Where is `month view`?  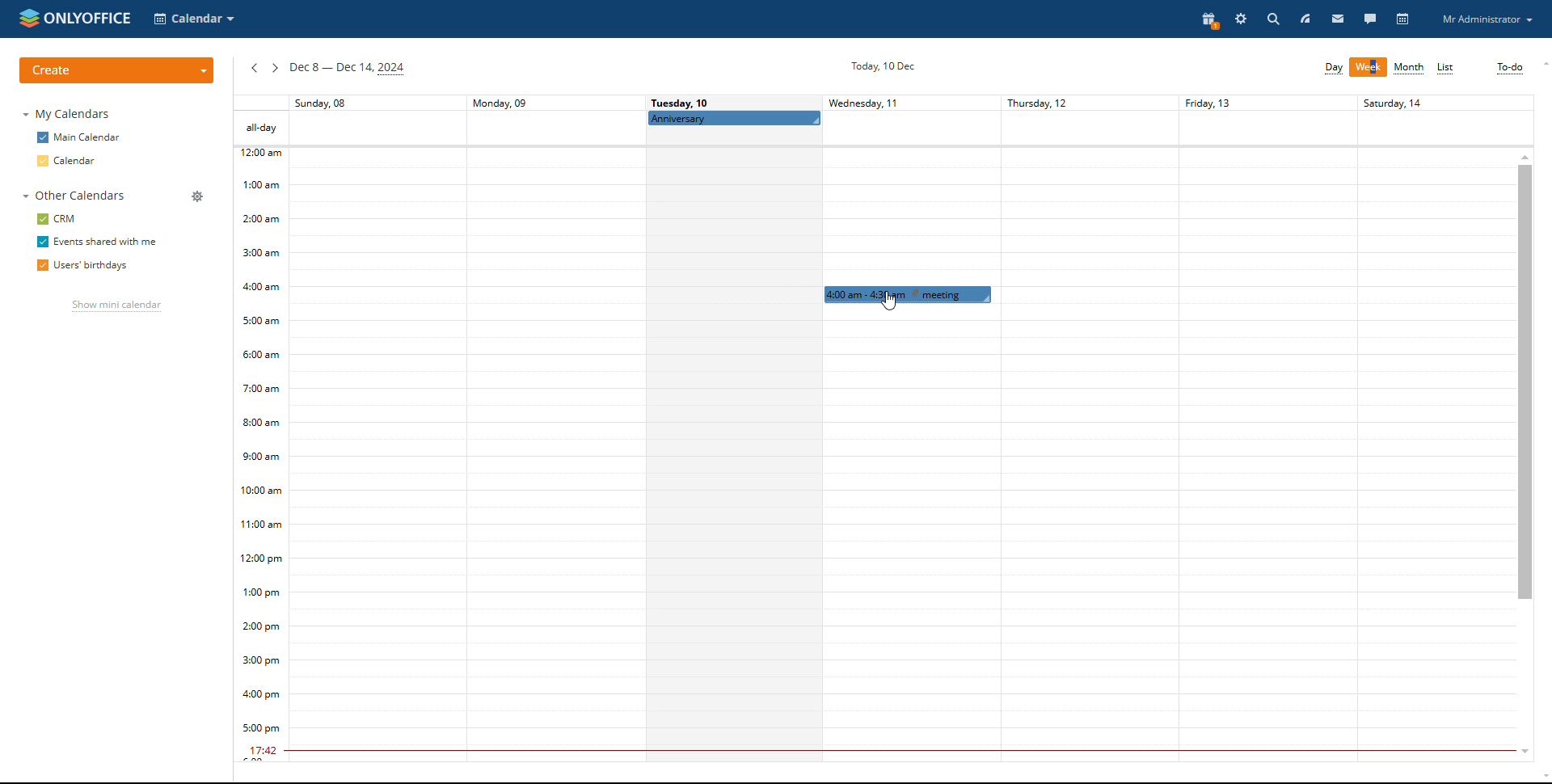
month view is located at coordinates (1410, 68).